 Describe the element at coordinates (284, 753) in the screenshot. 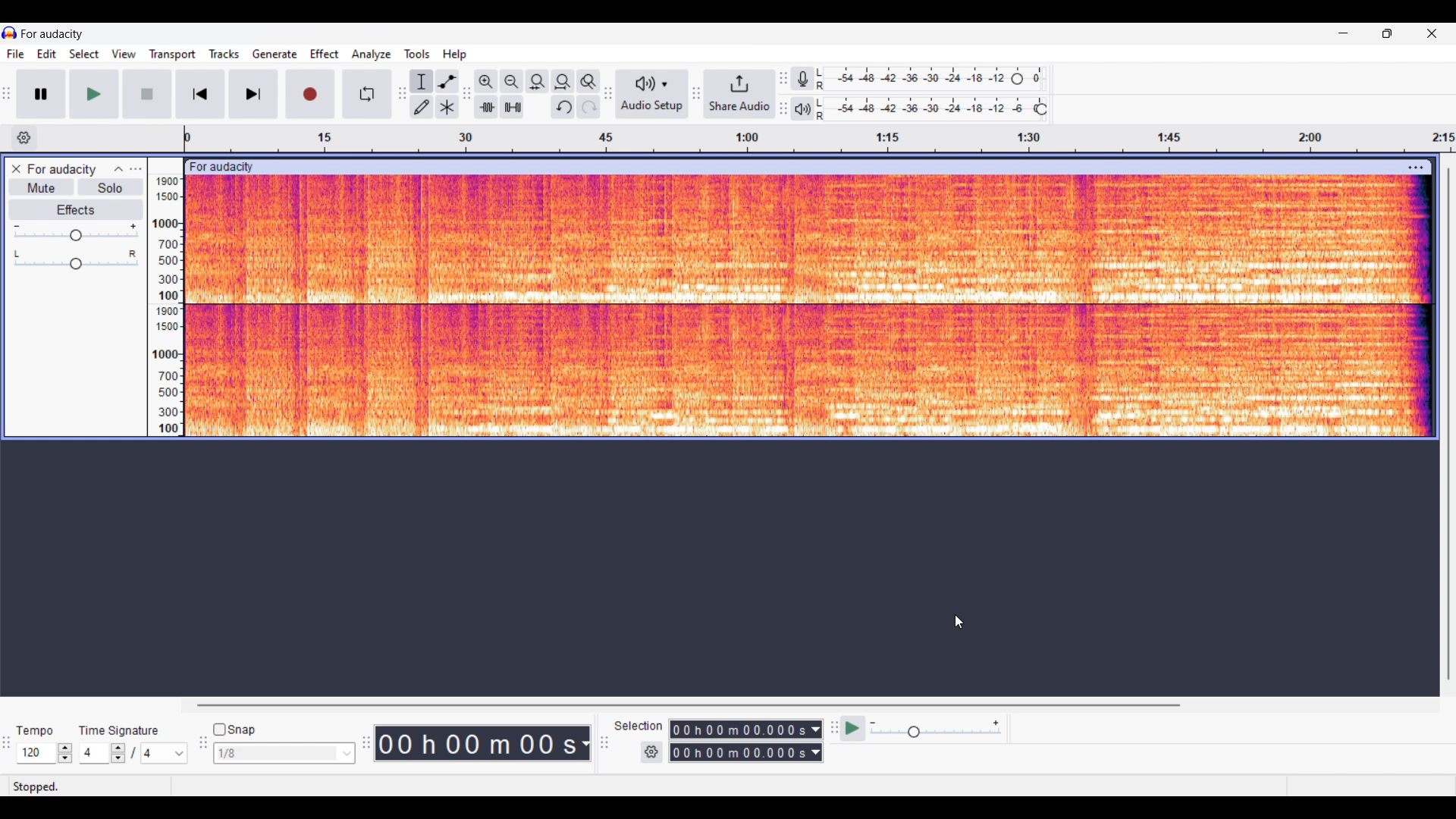

I see `Snap options` at that location.